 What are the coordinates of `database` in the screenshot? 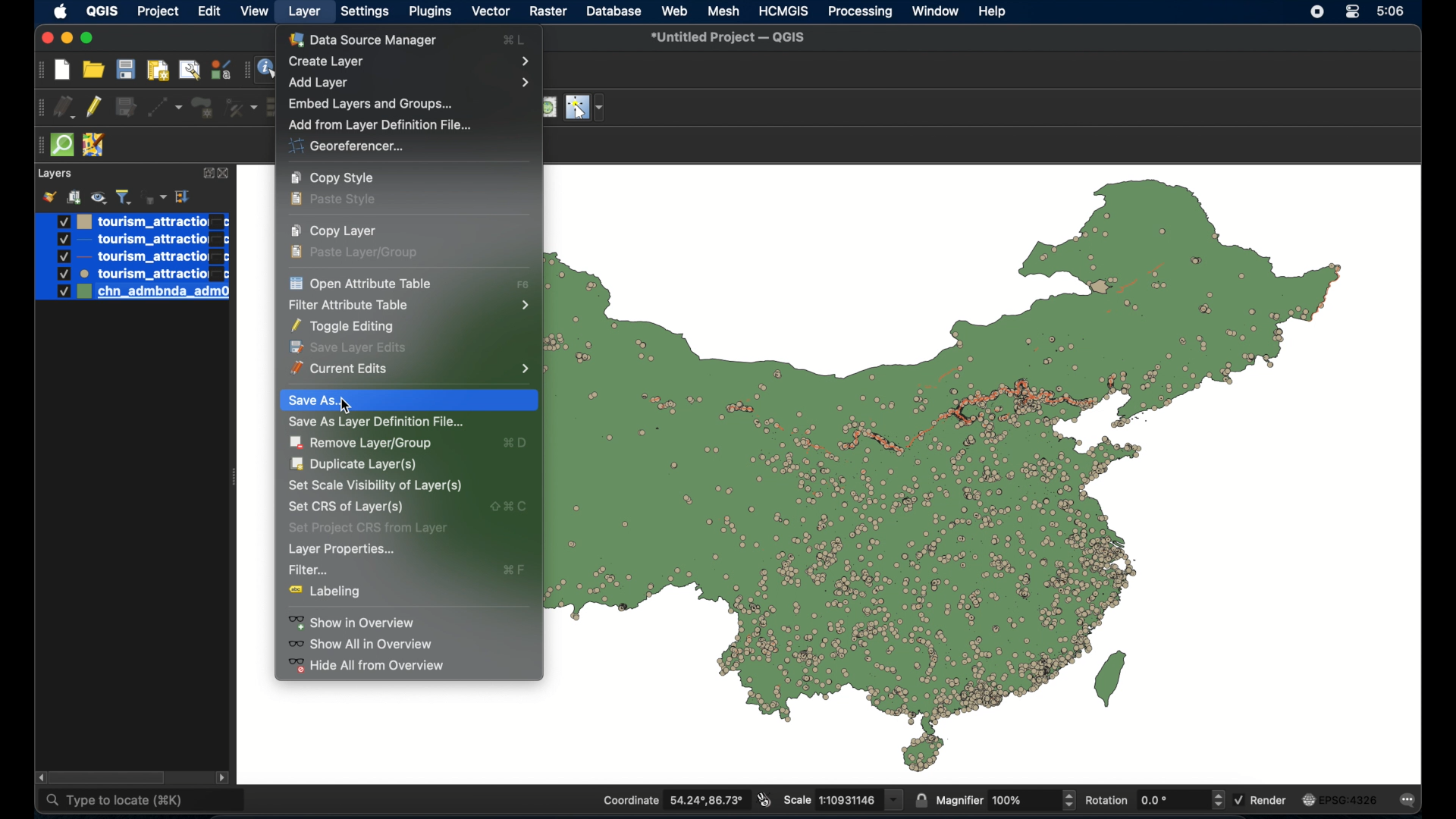 It's located at (613, 11).